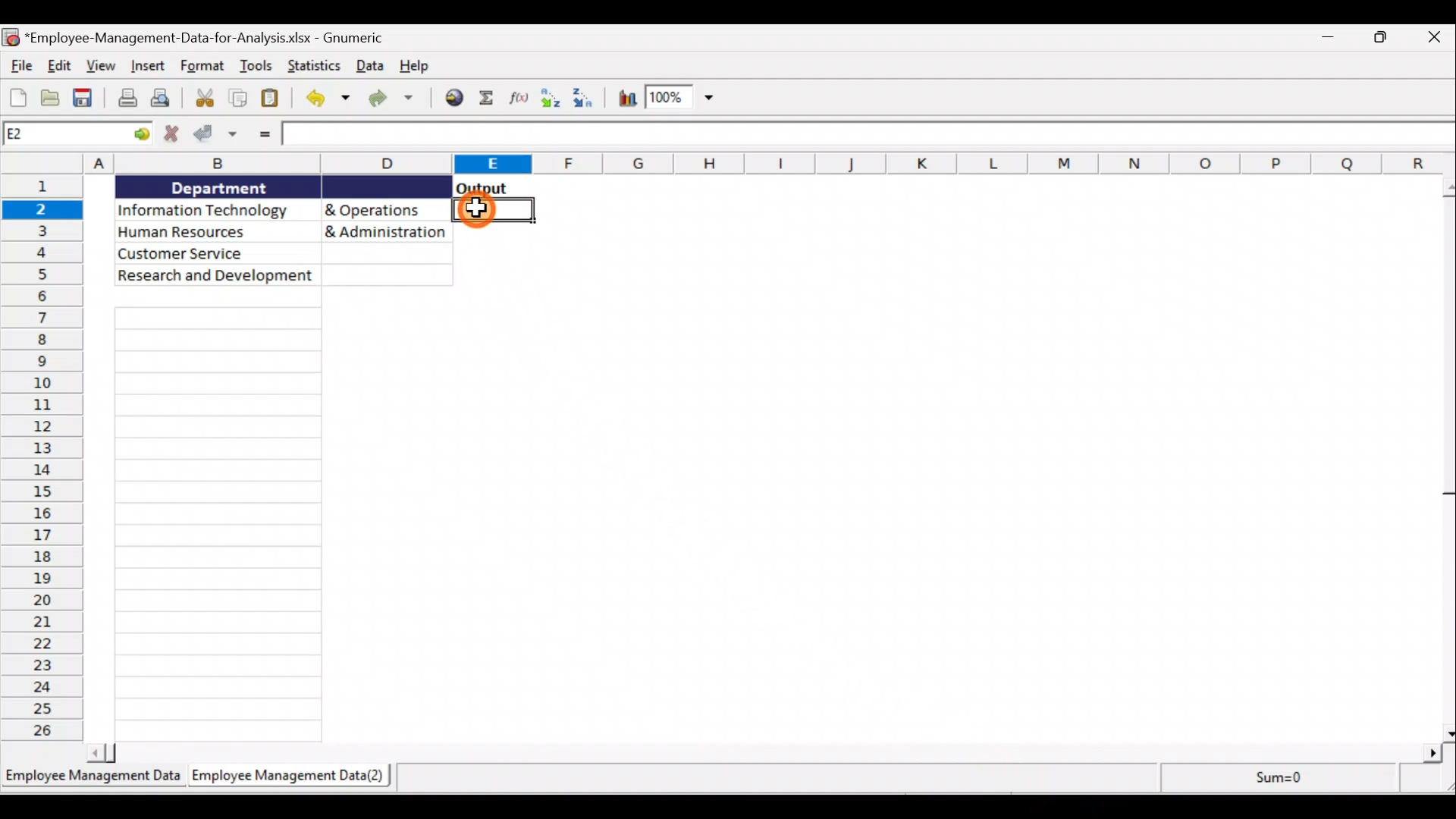 The width and height of the screenshot is (1456, 819). What do you see at coordinates (146, 64) in the screenshot?
I see `Insert` at bounding box center [146, 64].